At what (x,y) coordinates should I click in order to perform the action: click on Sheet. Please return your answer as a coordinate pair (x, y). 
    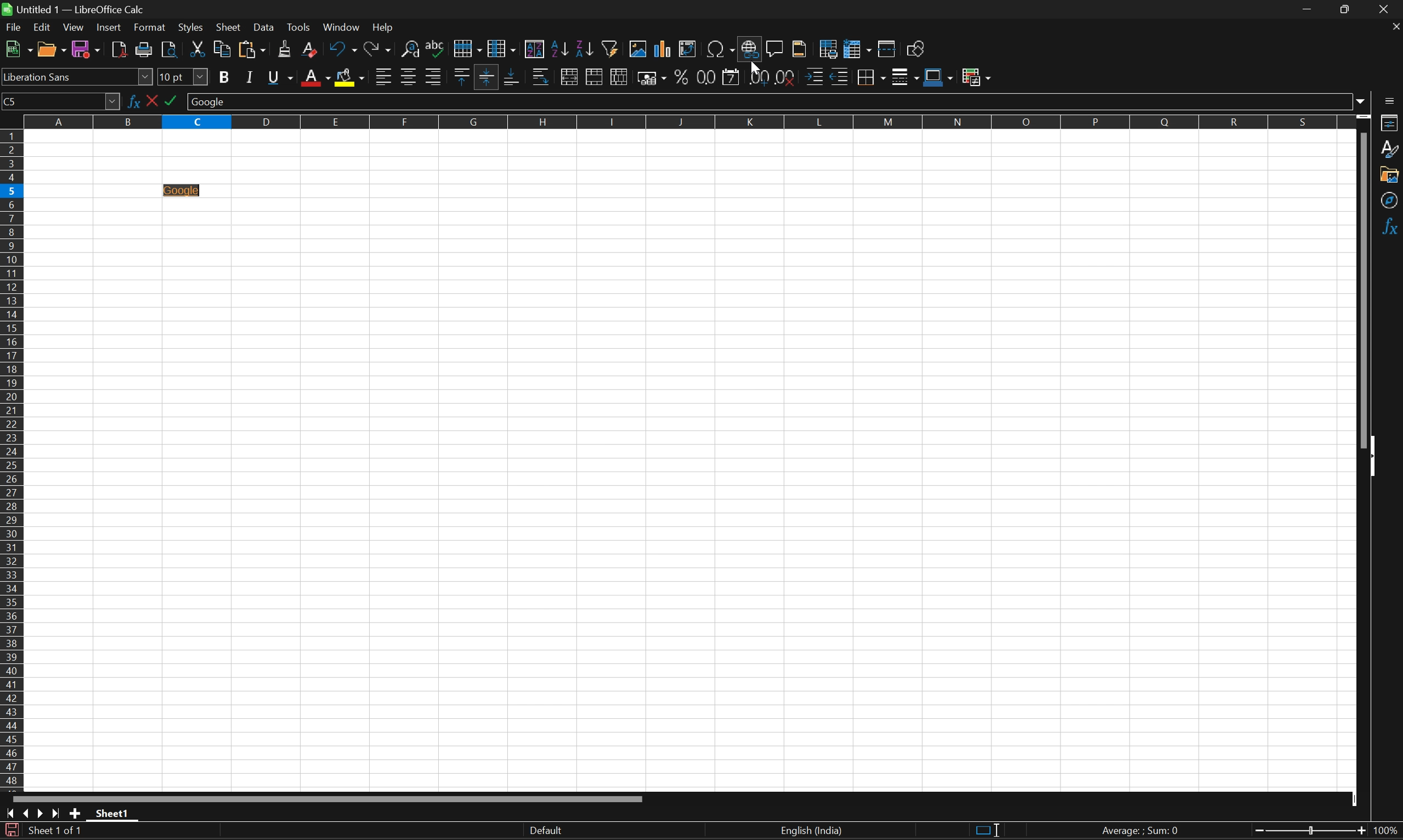
    Looking at the image, I should click on (229, 27).